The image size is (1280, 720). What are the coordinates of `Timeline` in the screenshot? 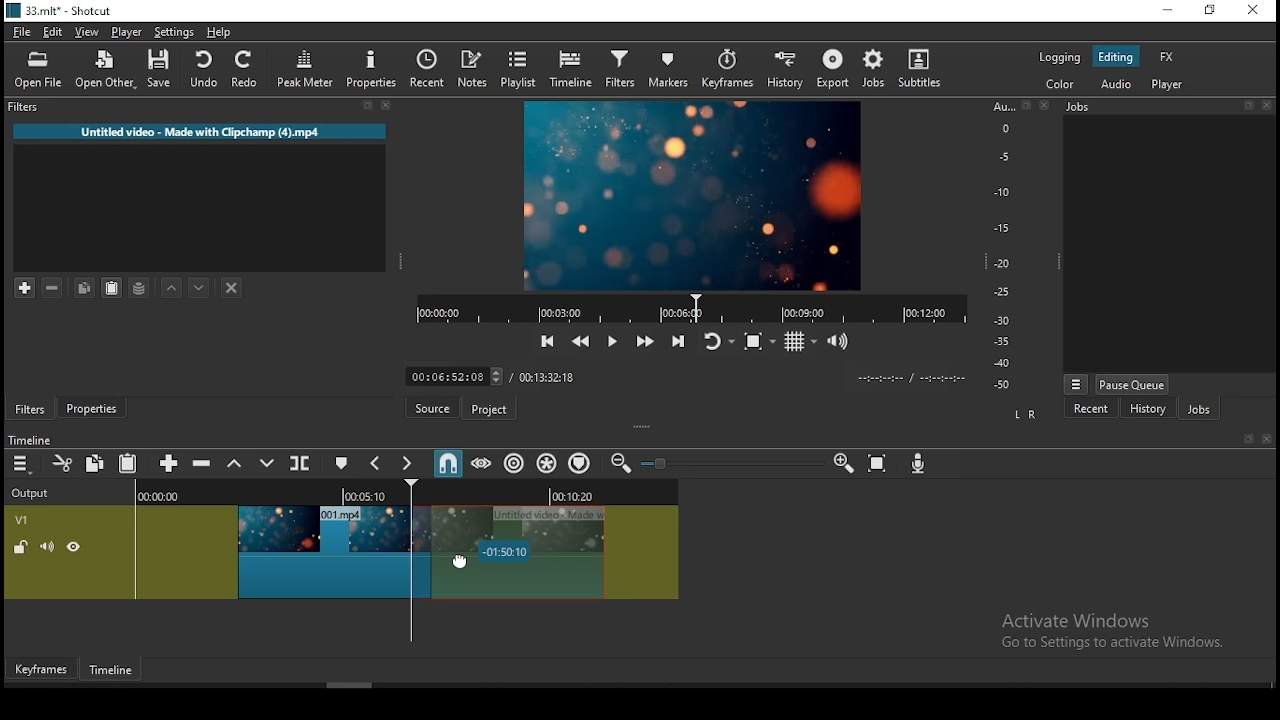 It's located at (114, 666).